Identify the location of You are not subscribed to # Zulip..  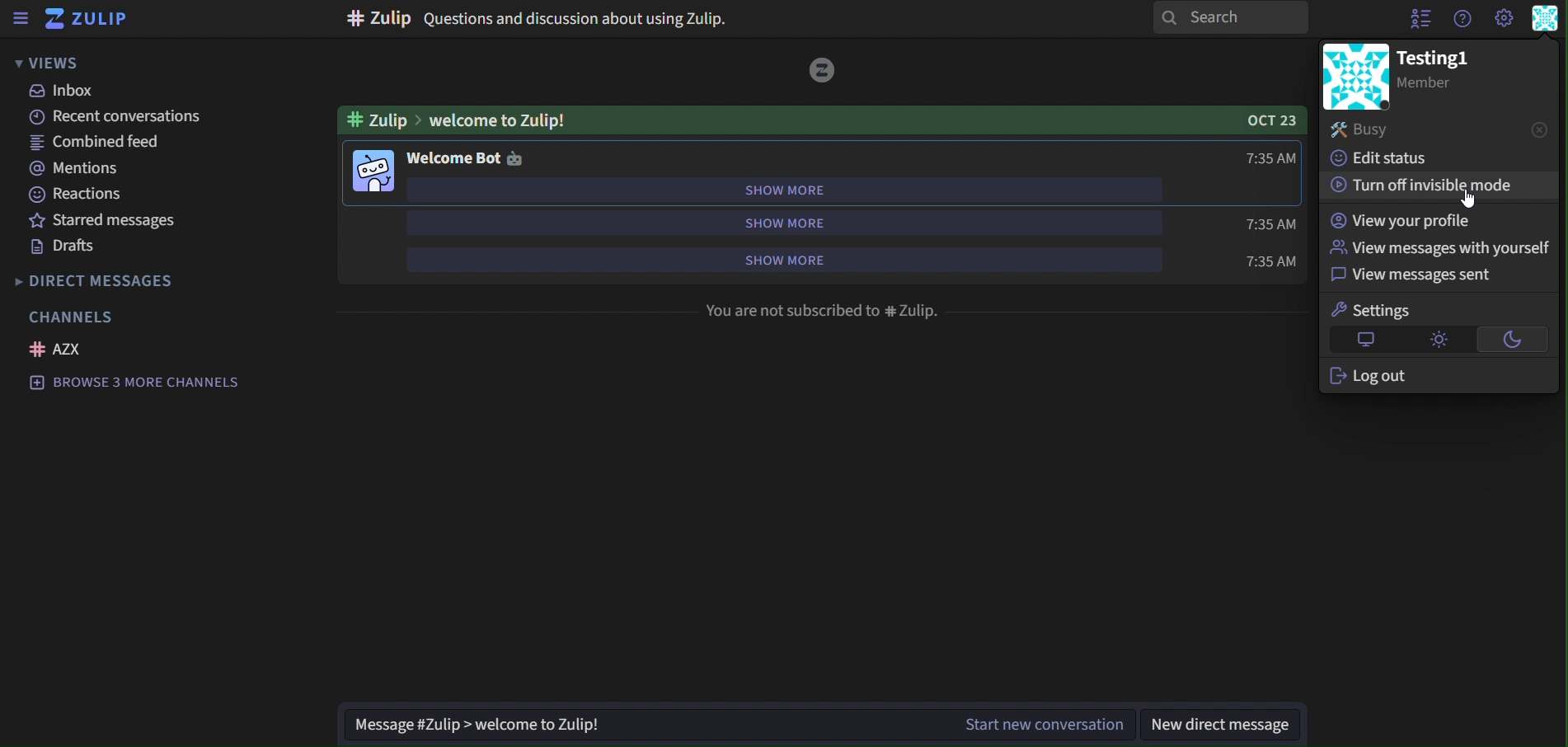
(821, 311).